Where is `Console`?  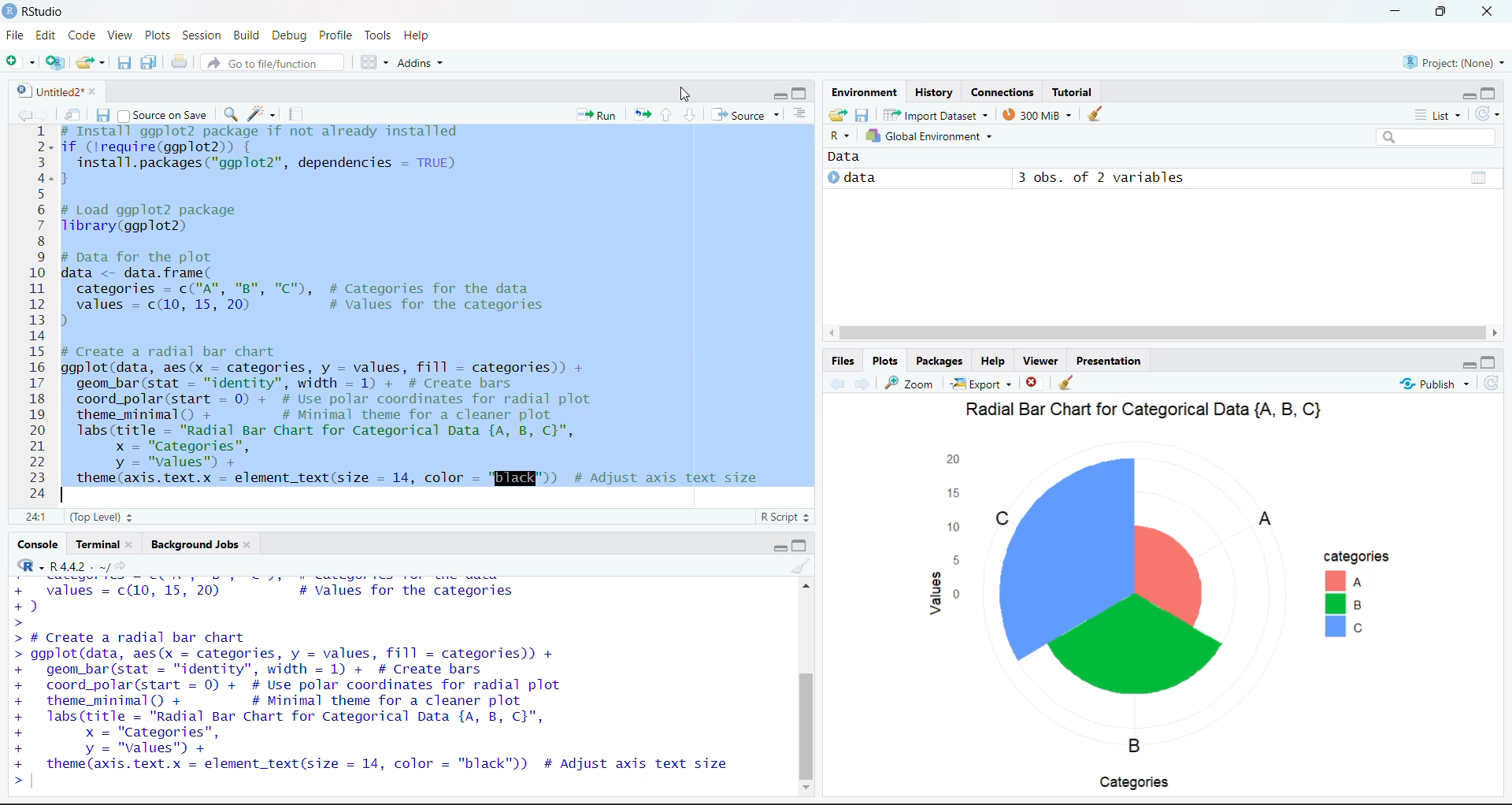 Console is located at coordinates (37, 545).